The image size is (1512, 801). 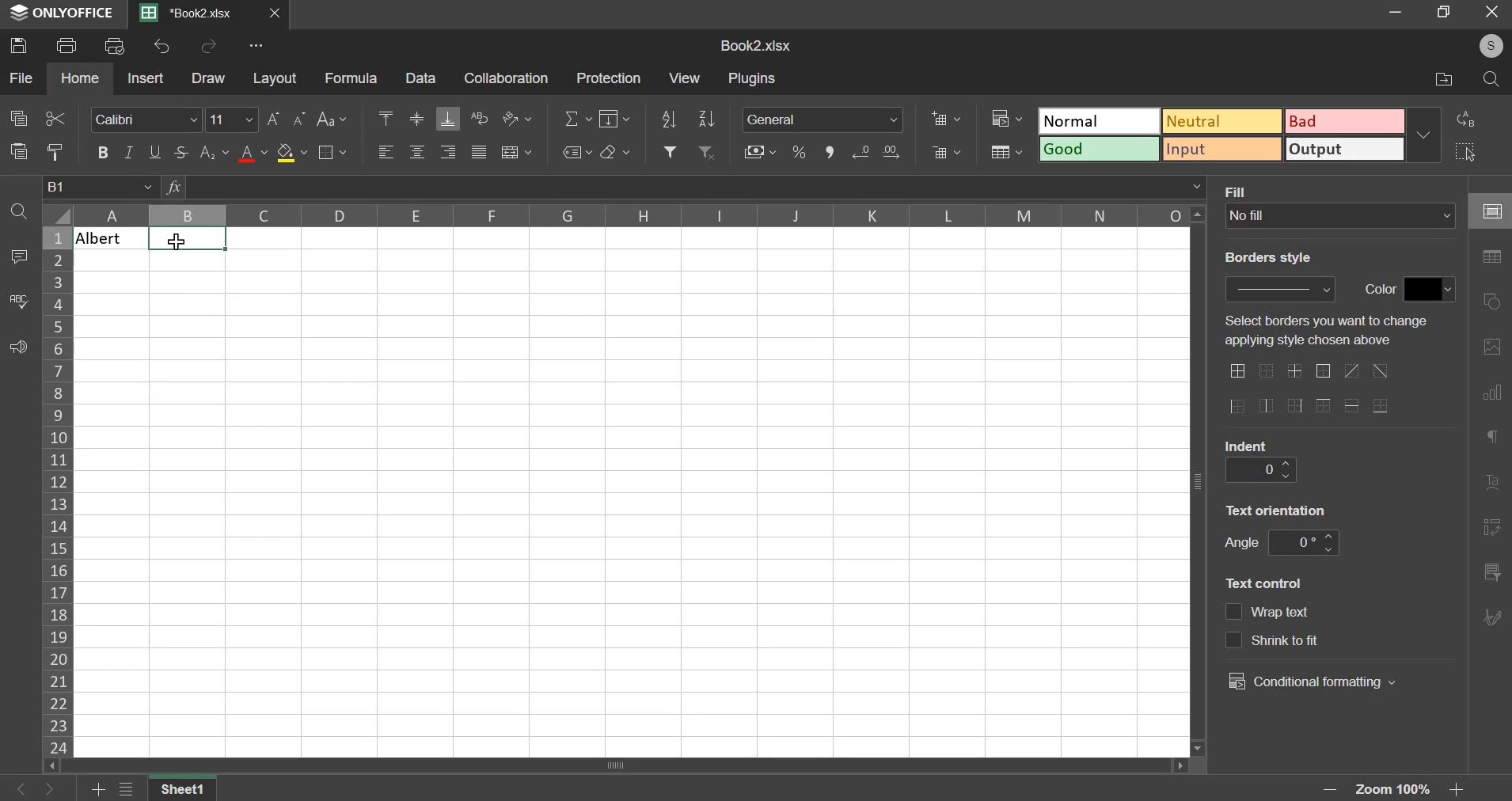 I want to click on draw, so click(x=209, y=78).